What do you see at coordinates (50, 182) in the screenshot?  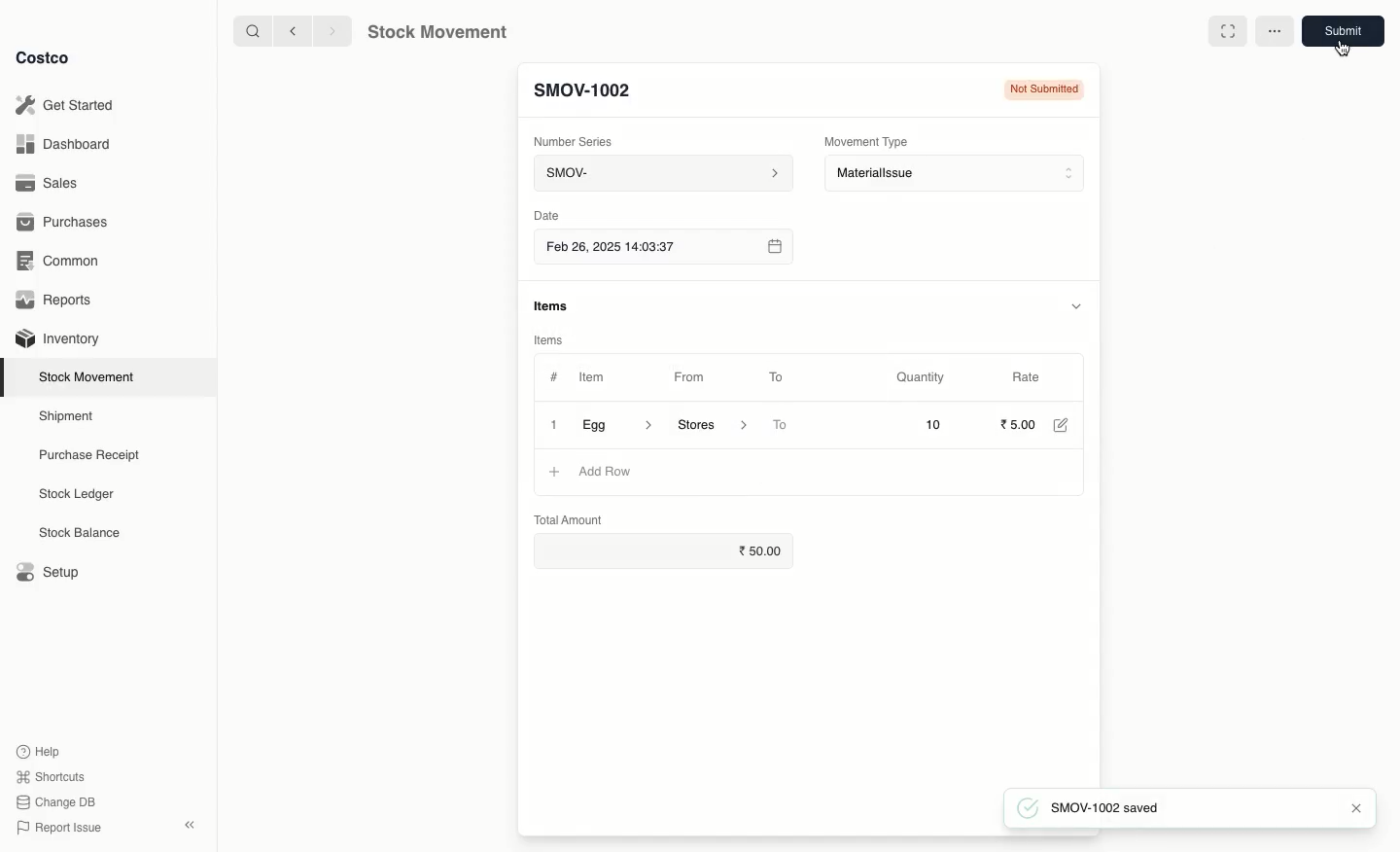 I see `Sales` at bounding box center [50, 182].